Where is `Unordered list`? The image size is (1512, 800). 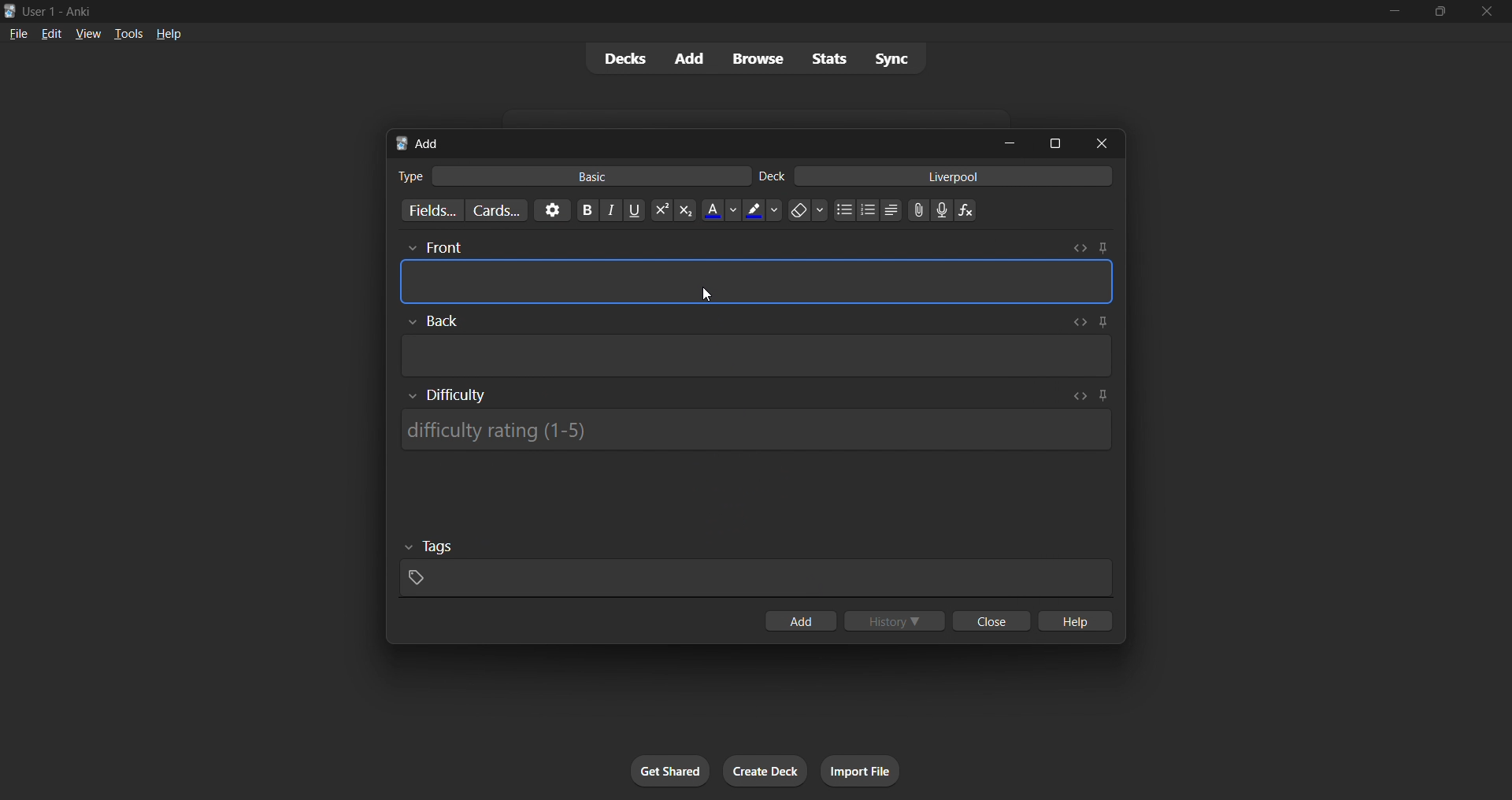 Unordered list is located at coordinates (845, 209).